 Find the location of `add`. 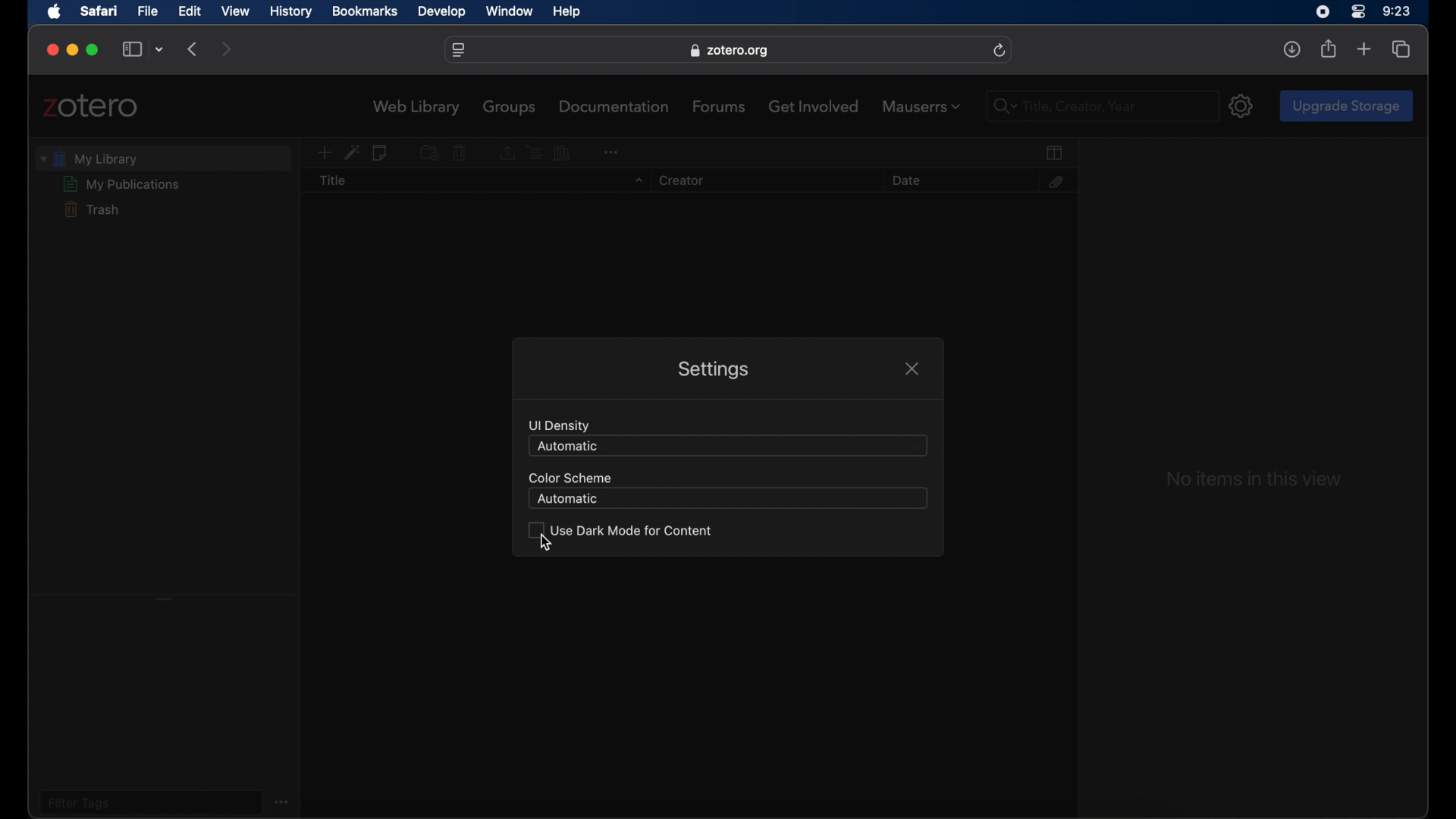

add is located at coordinates (1364, 50).